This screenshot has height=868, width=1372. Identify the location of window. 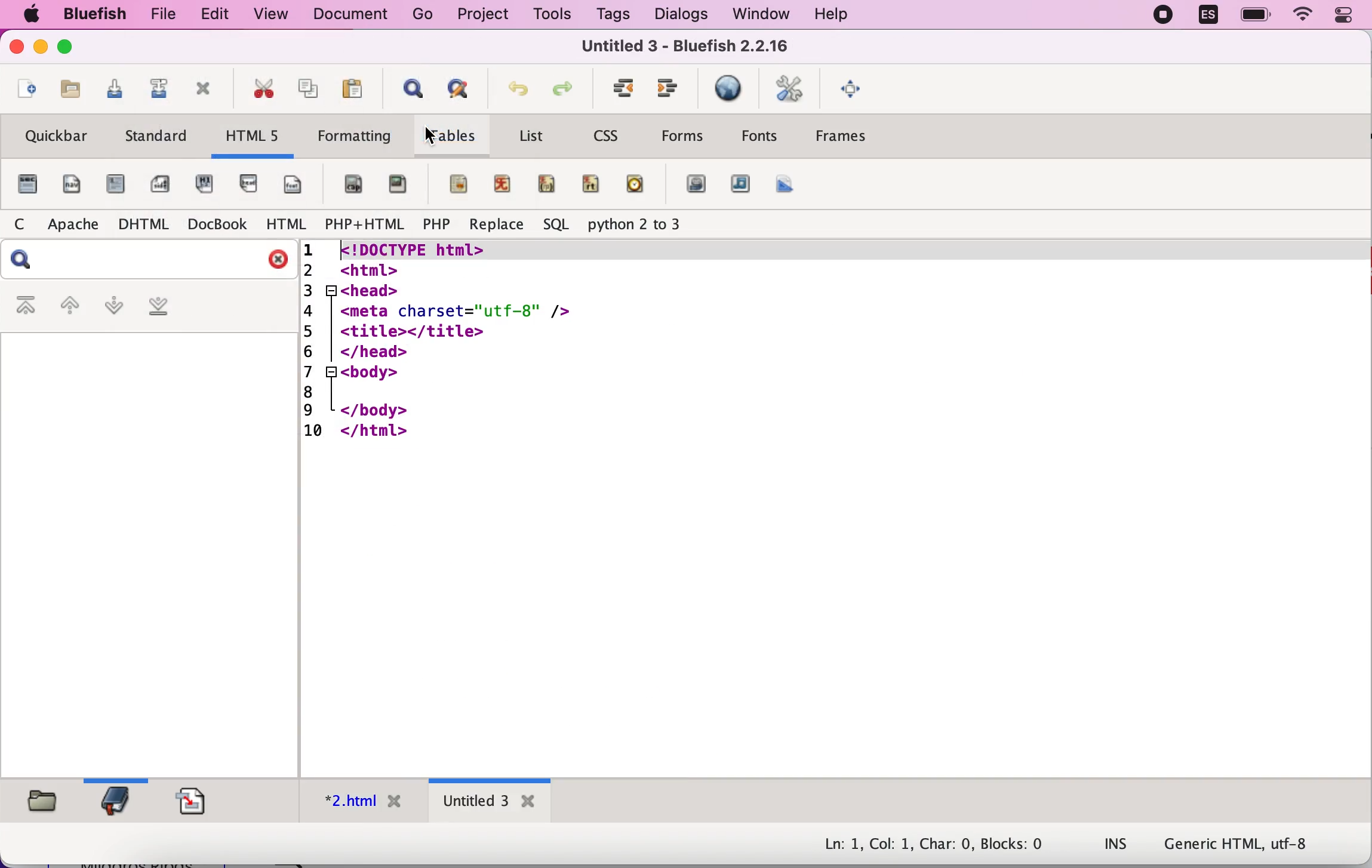
(755, 14).